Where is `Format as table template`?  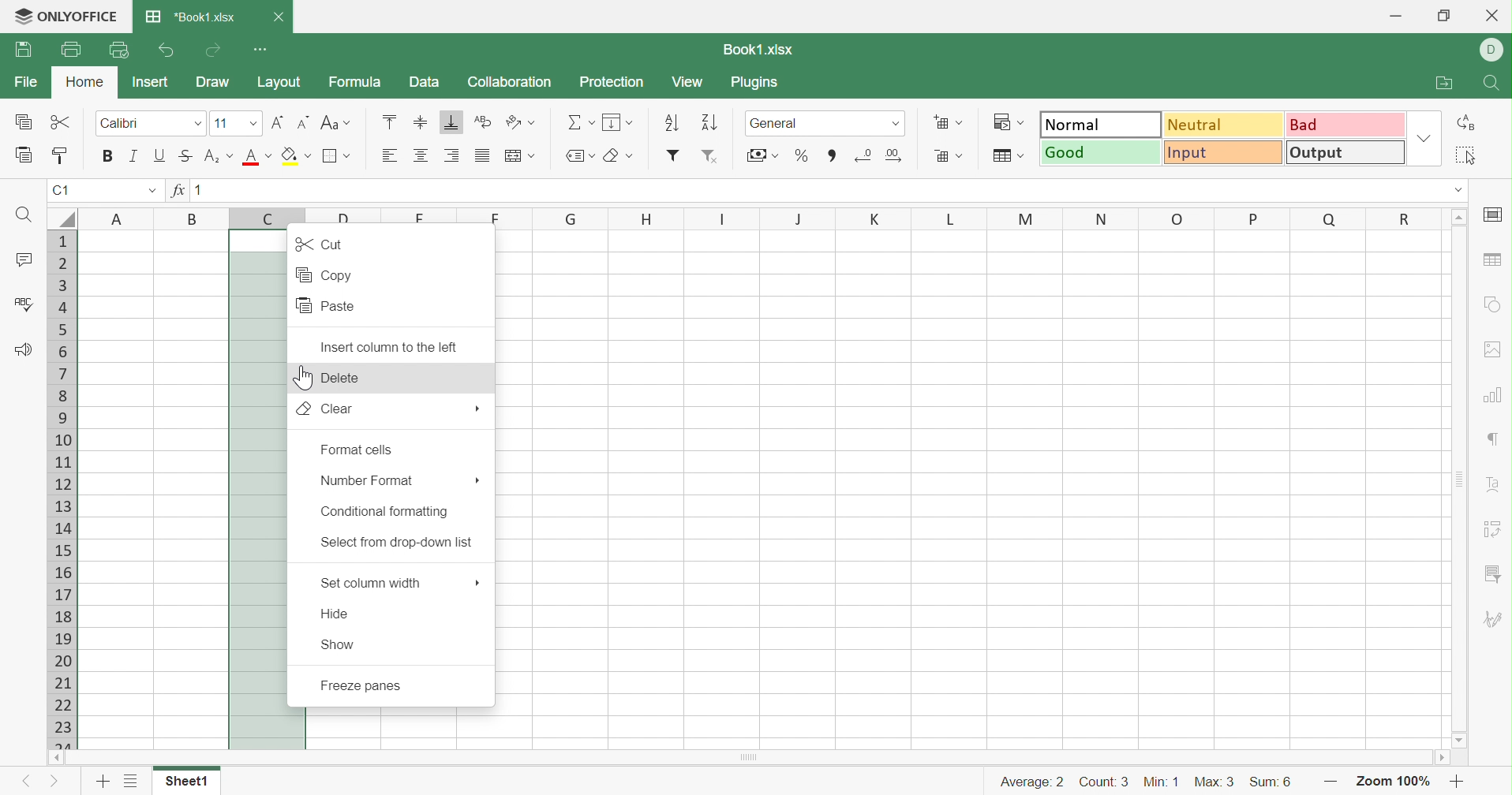
Format as table template is located at coordinates (1001, 157).